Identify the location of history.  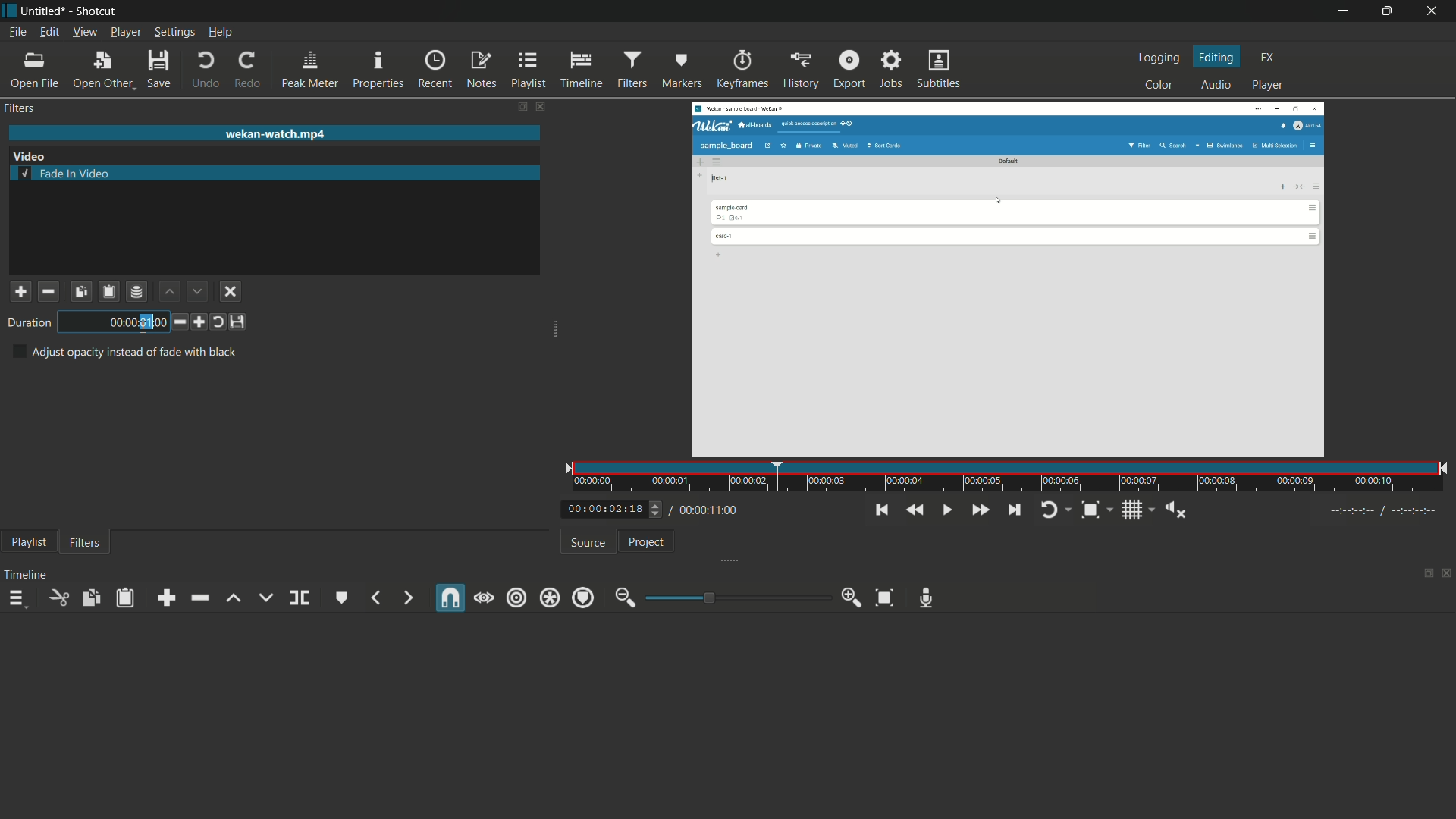
(800, 71).